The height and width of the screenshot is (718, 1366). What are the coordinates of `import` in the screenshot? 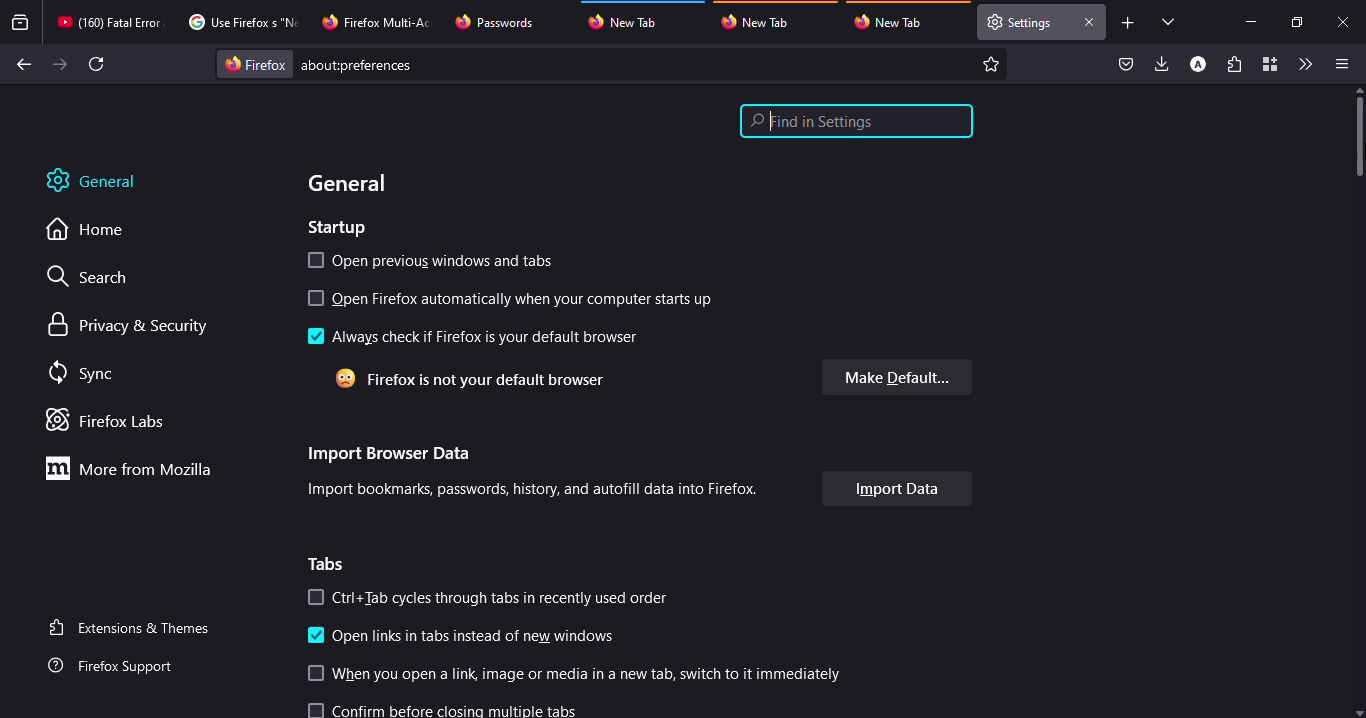 It's located at (537, 490).